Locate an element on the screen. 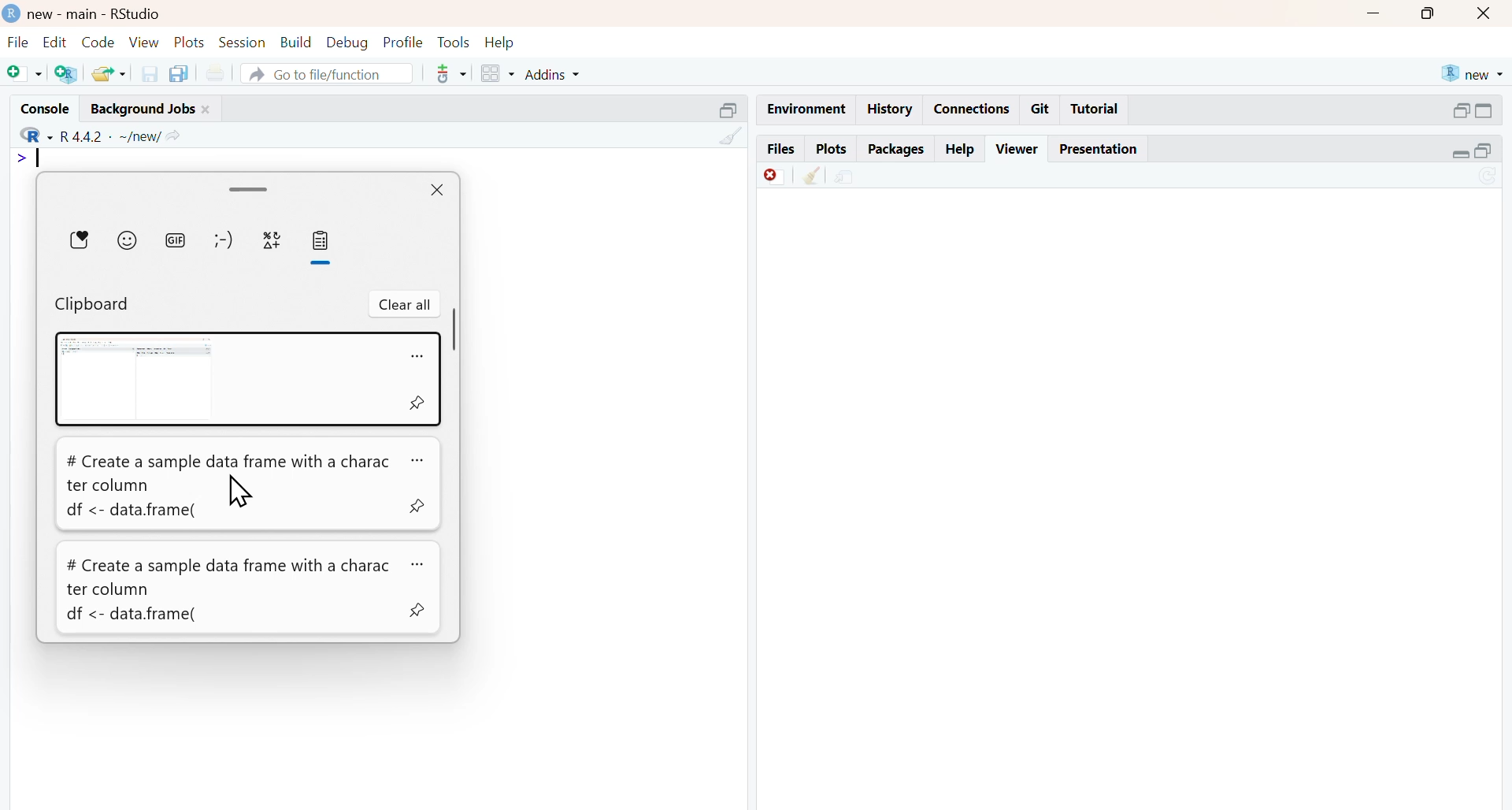 The height and width of the screenshot is (810, 1512). share is located at coordinates (845, 177).